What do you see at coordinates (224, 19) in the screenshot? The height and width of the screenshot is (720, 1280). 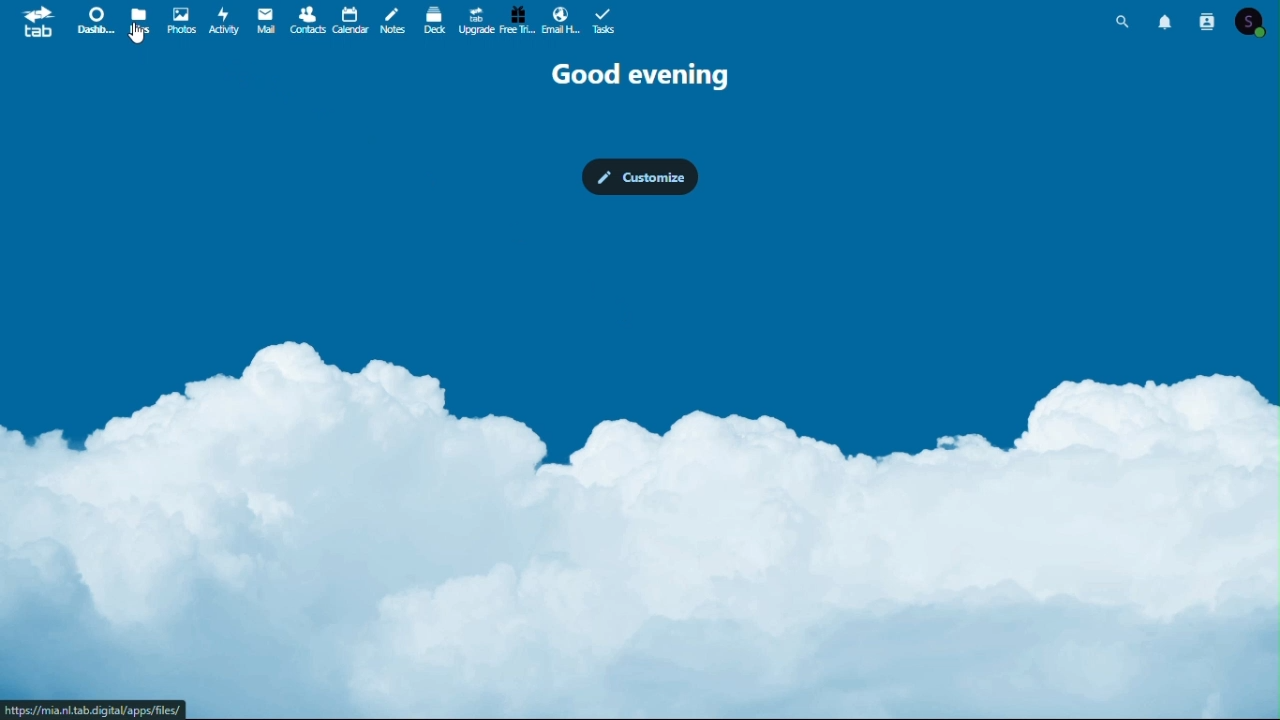 I see `activity` at bounding box center [224, 19].